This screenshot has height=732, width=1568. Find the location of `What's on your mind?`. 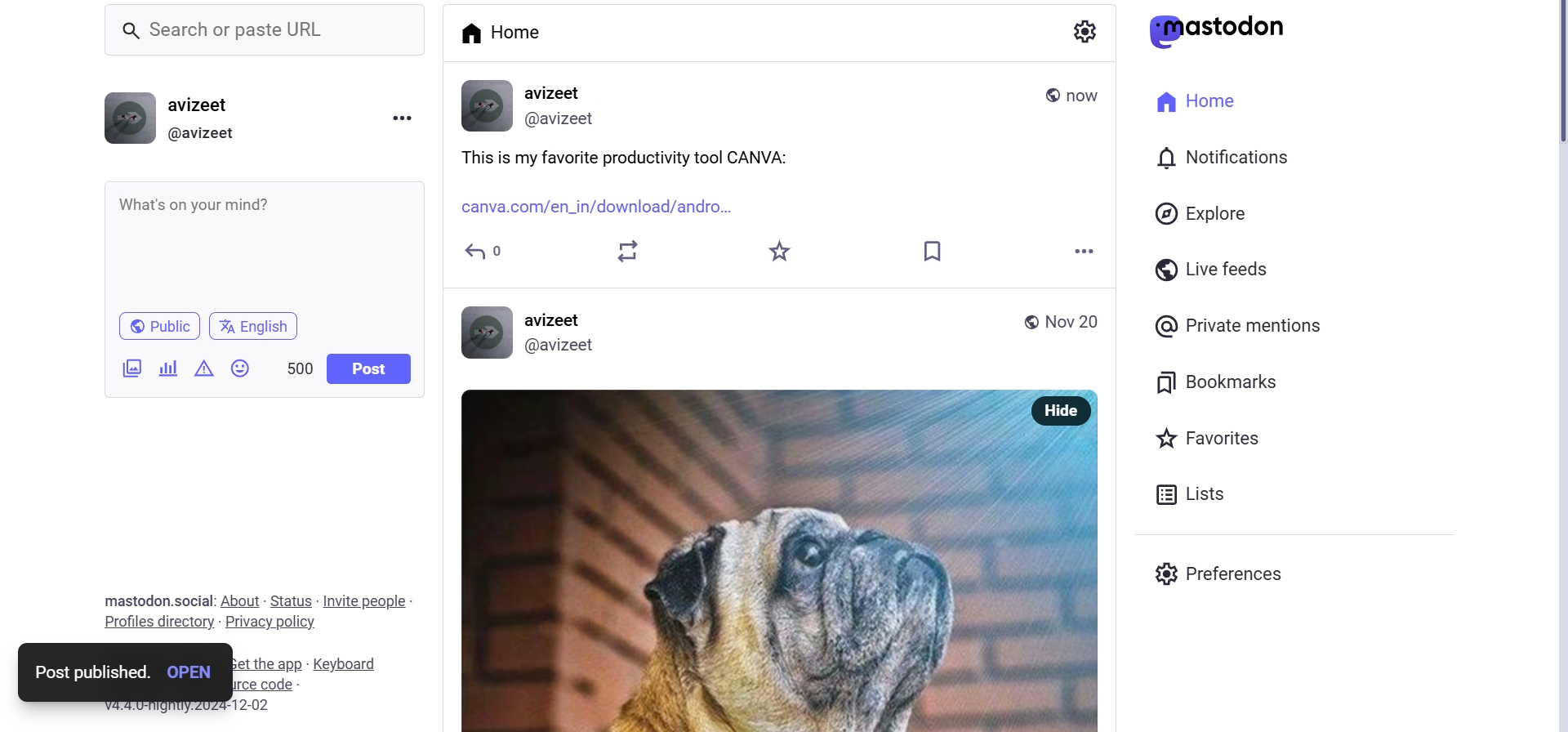

What's on your mind? is located at coordinates (261, 235).